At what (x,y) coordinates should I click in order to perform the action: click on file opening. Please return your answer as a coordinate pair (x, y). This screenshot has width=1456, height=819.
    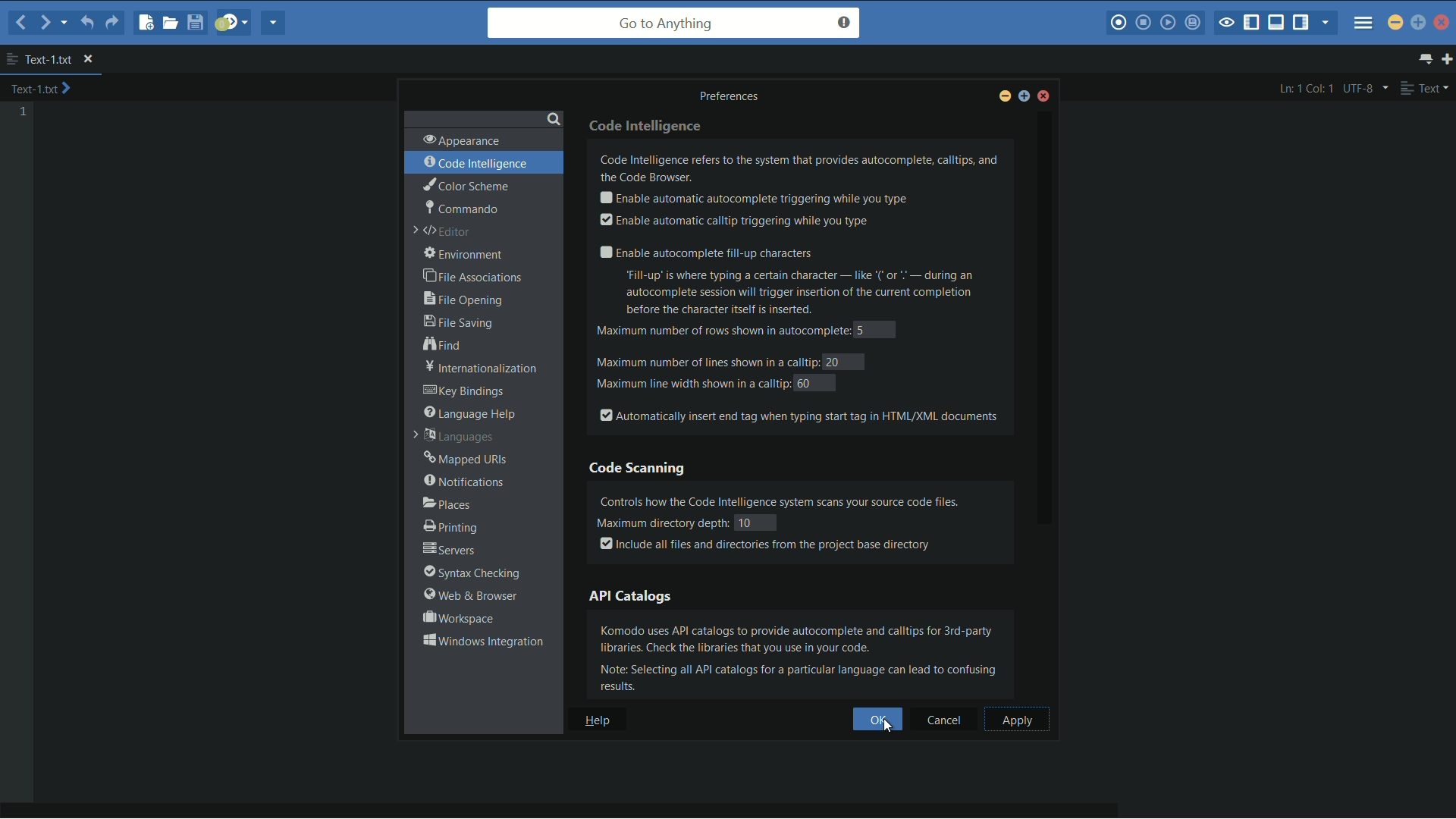
    Looking at the image, I should click on (466, 299).